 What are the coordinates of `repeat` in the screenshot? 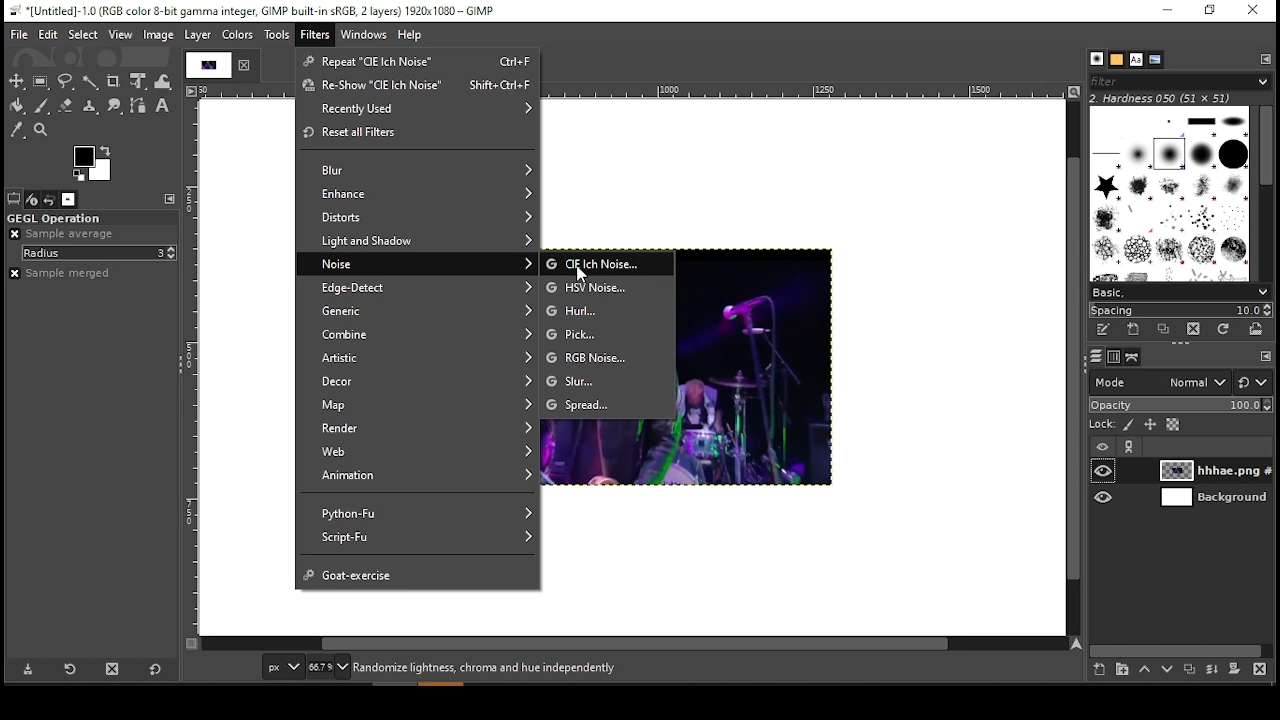 It's located at (414, 60).